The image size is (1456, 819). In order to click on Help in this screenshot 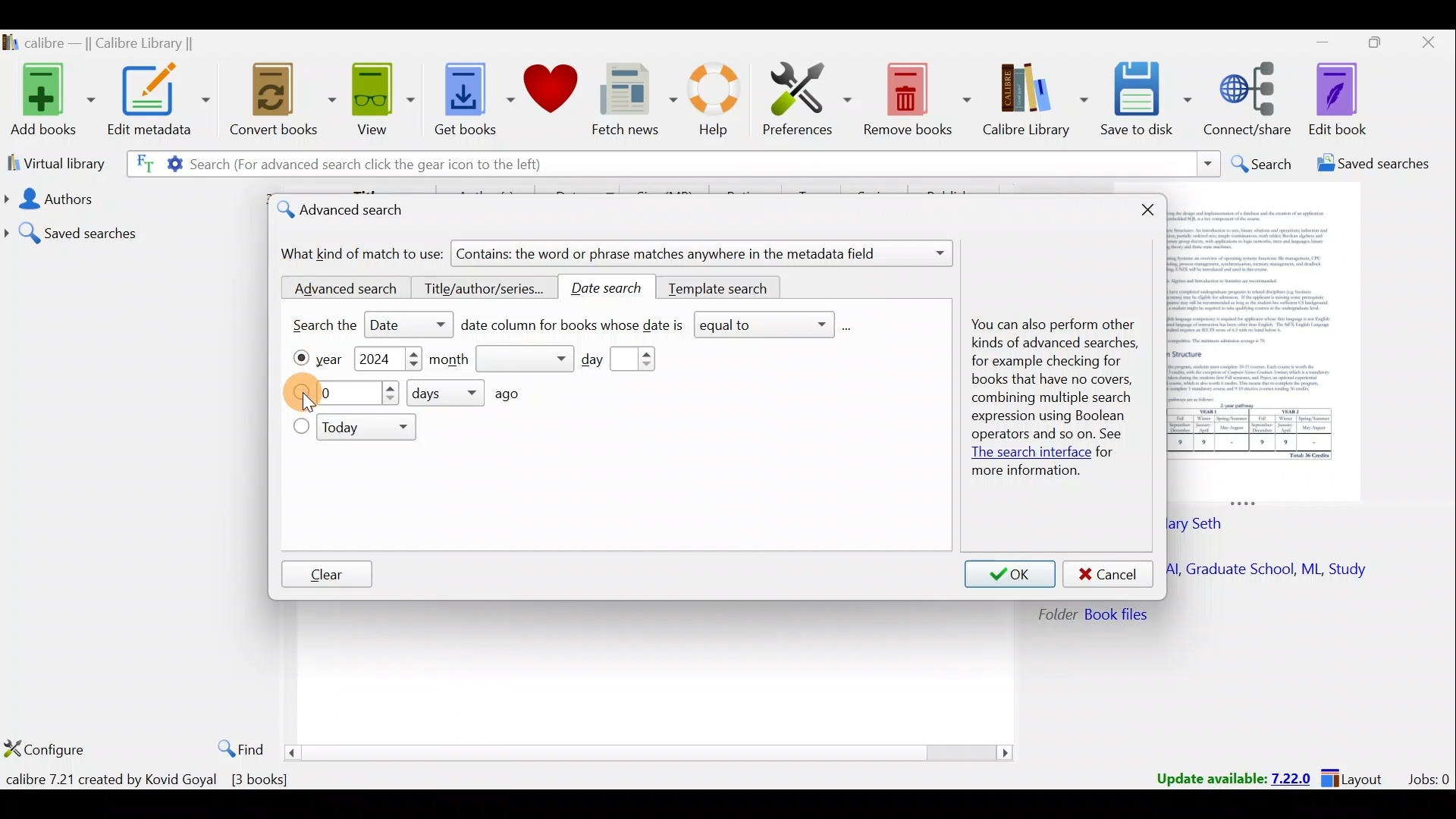, I will do `click(720, 102)`.